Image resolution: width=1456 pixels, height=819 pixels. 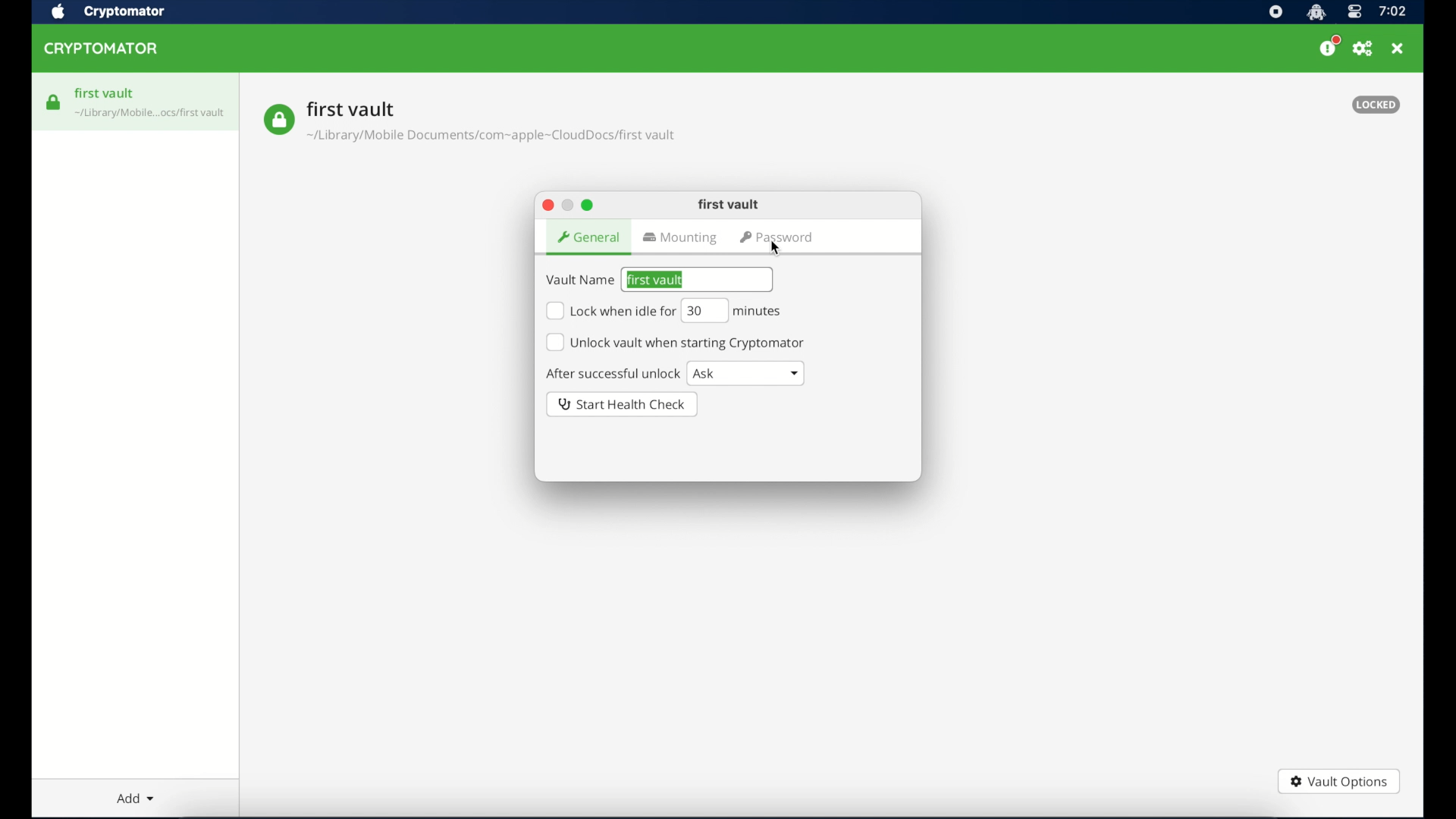 What do you see at coordinates (547, 206) in the screenshot?
I see `close` at bounding box center [547, 206].